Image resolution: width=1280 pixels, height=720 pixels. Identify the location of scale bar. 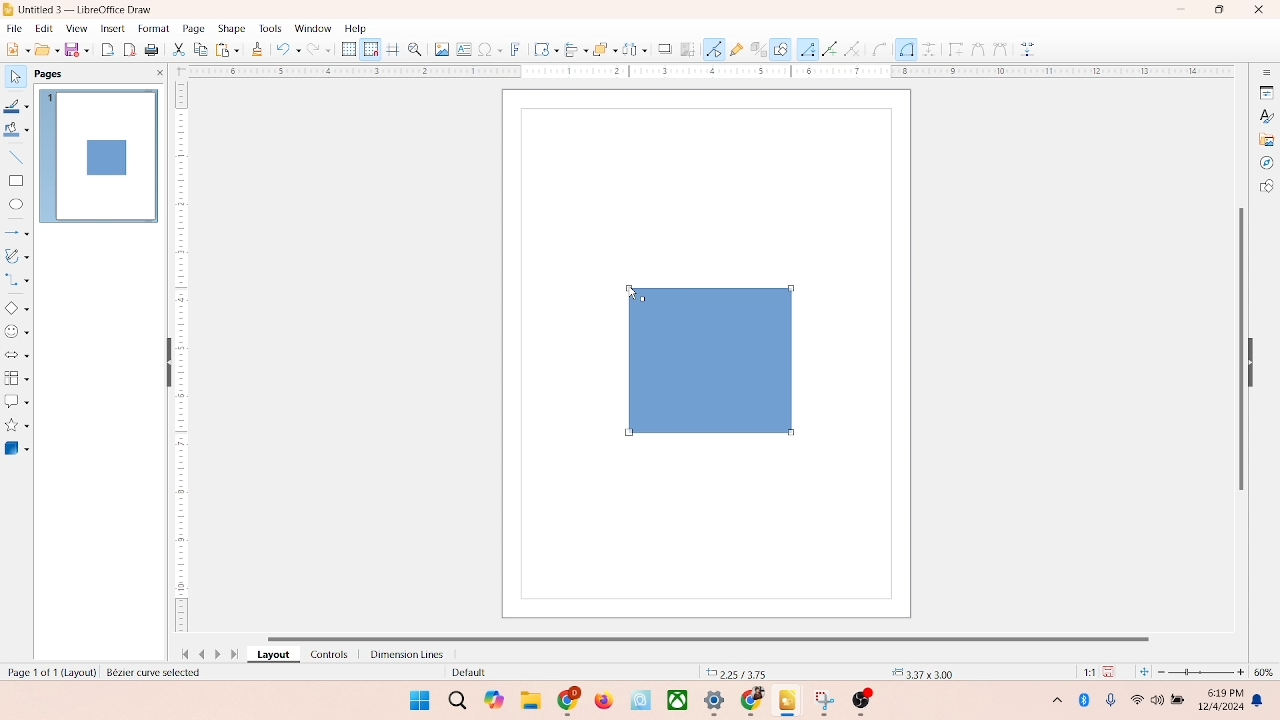
(704, 72).